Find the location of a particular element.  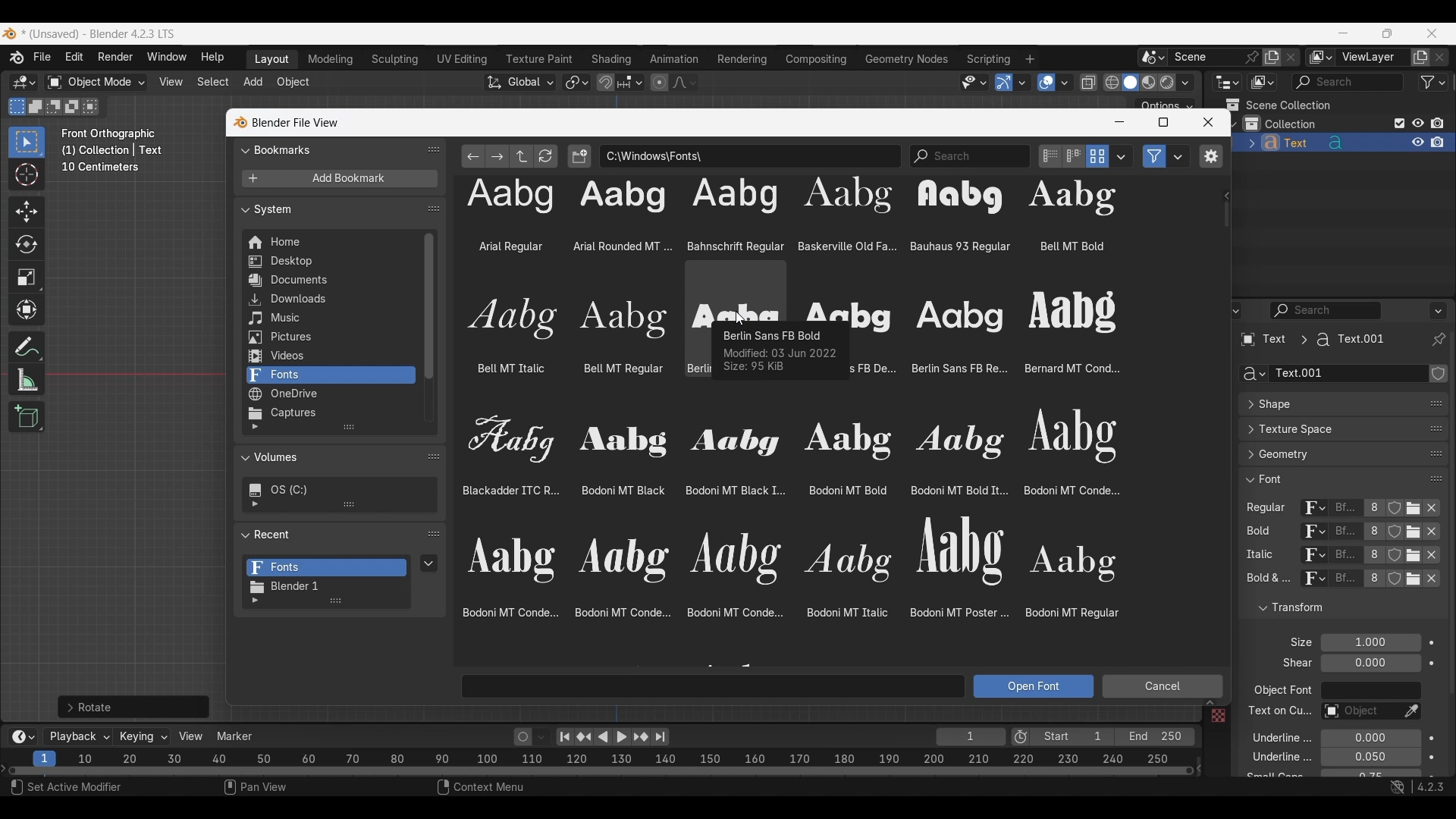

Previous folder is located at coordinates (474, 156).